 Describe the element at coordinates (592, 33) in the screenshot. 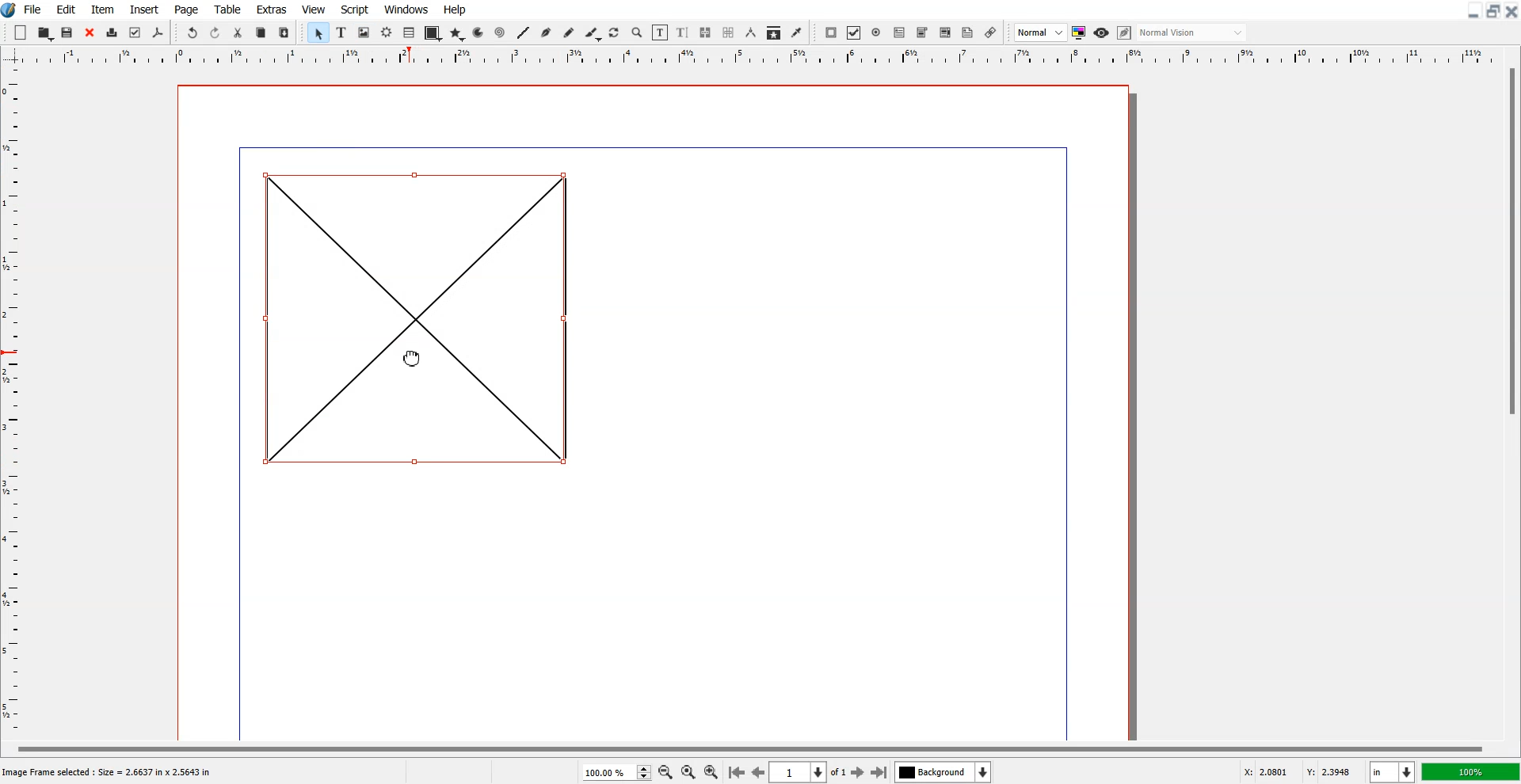

I see `Calligraphic Line` at that location.